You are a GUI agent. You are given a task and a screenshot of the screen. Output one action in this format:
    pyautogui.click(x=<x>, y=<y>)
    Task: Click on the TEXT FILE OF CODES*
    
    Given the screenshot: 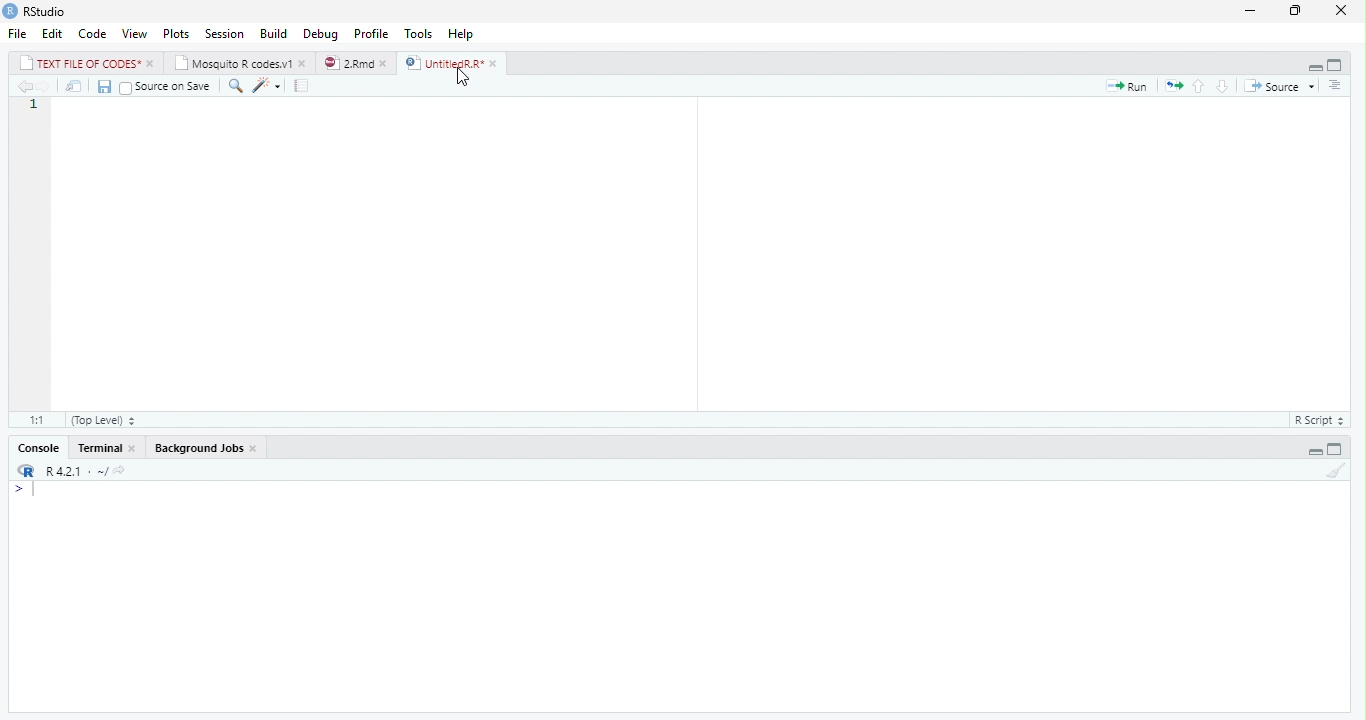 What is the action you would take?
    pyautogui.click(x=84, y=62)
    